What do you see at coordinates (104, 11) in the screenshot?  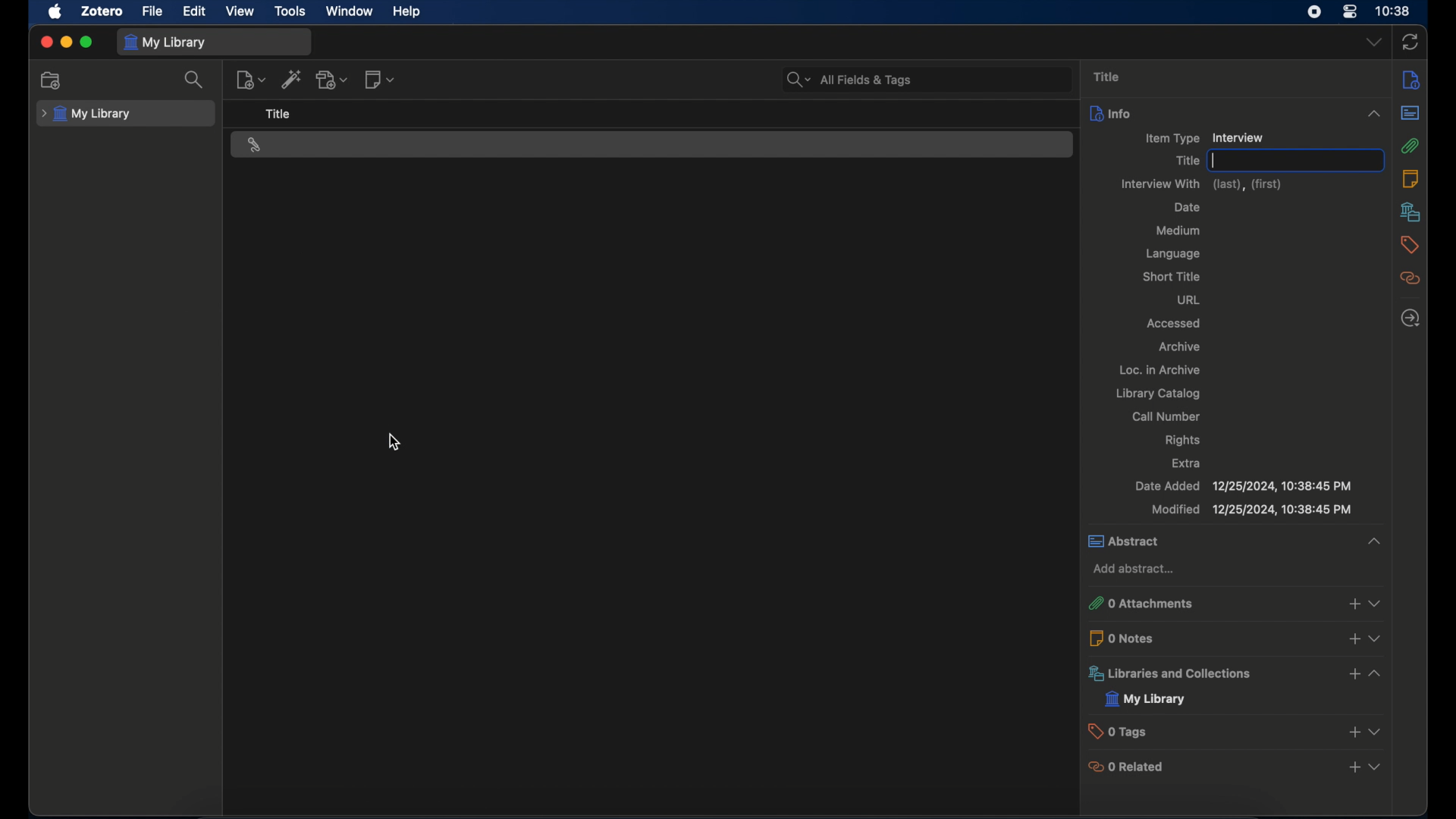 I see `zotero` at bounding box center [104, 11].